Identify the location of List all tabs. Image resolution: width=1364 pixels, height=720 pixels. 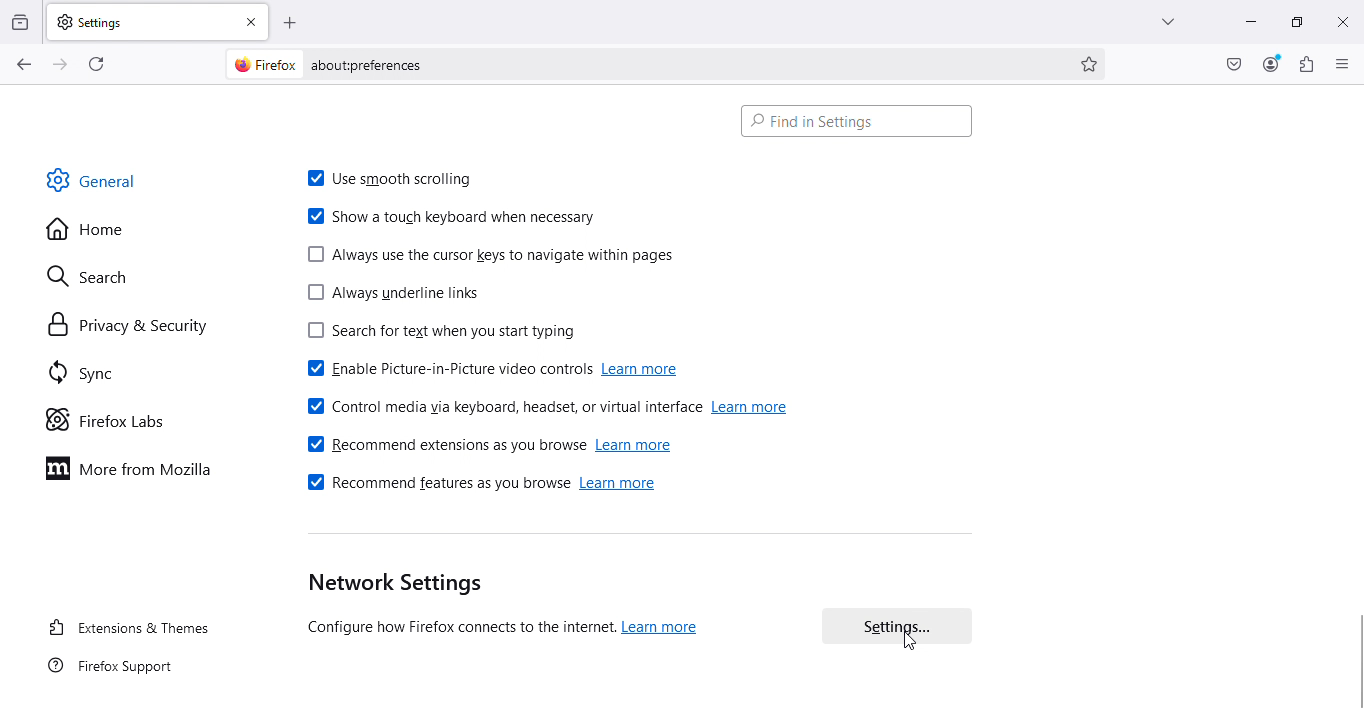
(1162, 21).